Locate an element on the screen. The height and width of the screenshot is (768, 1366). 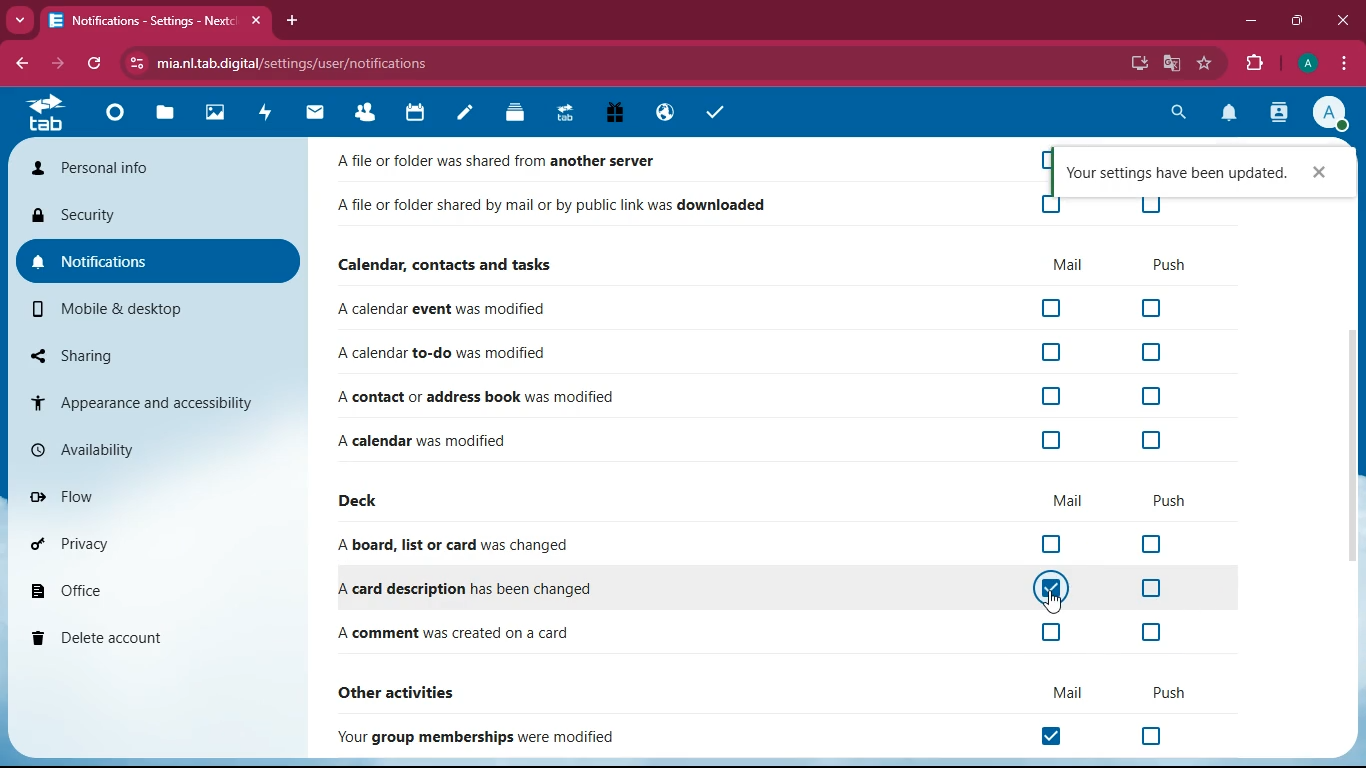
tasks is located at coordinates (712, 112).